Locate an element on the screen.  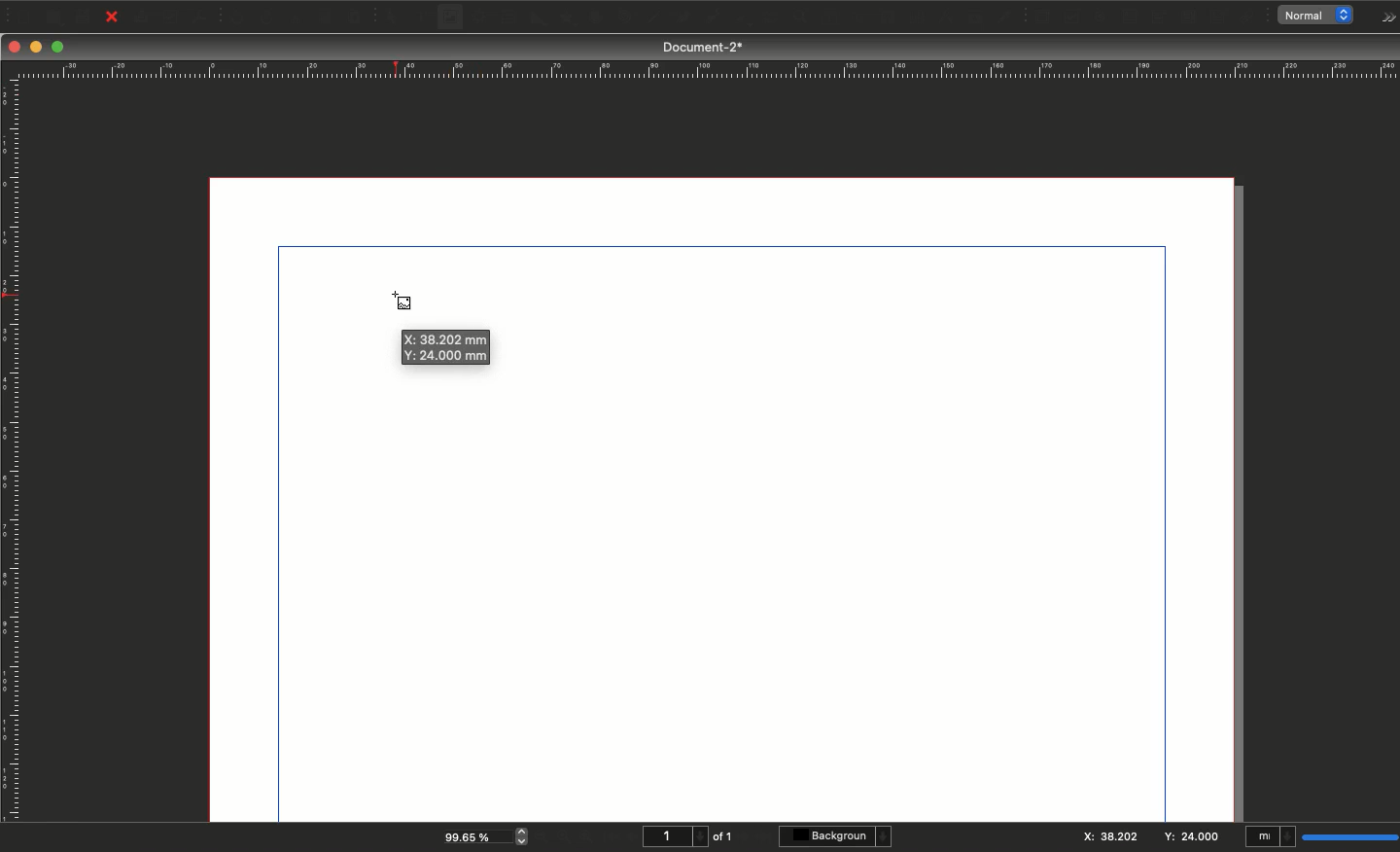
Cursor is located at coordinates (409, 300).